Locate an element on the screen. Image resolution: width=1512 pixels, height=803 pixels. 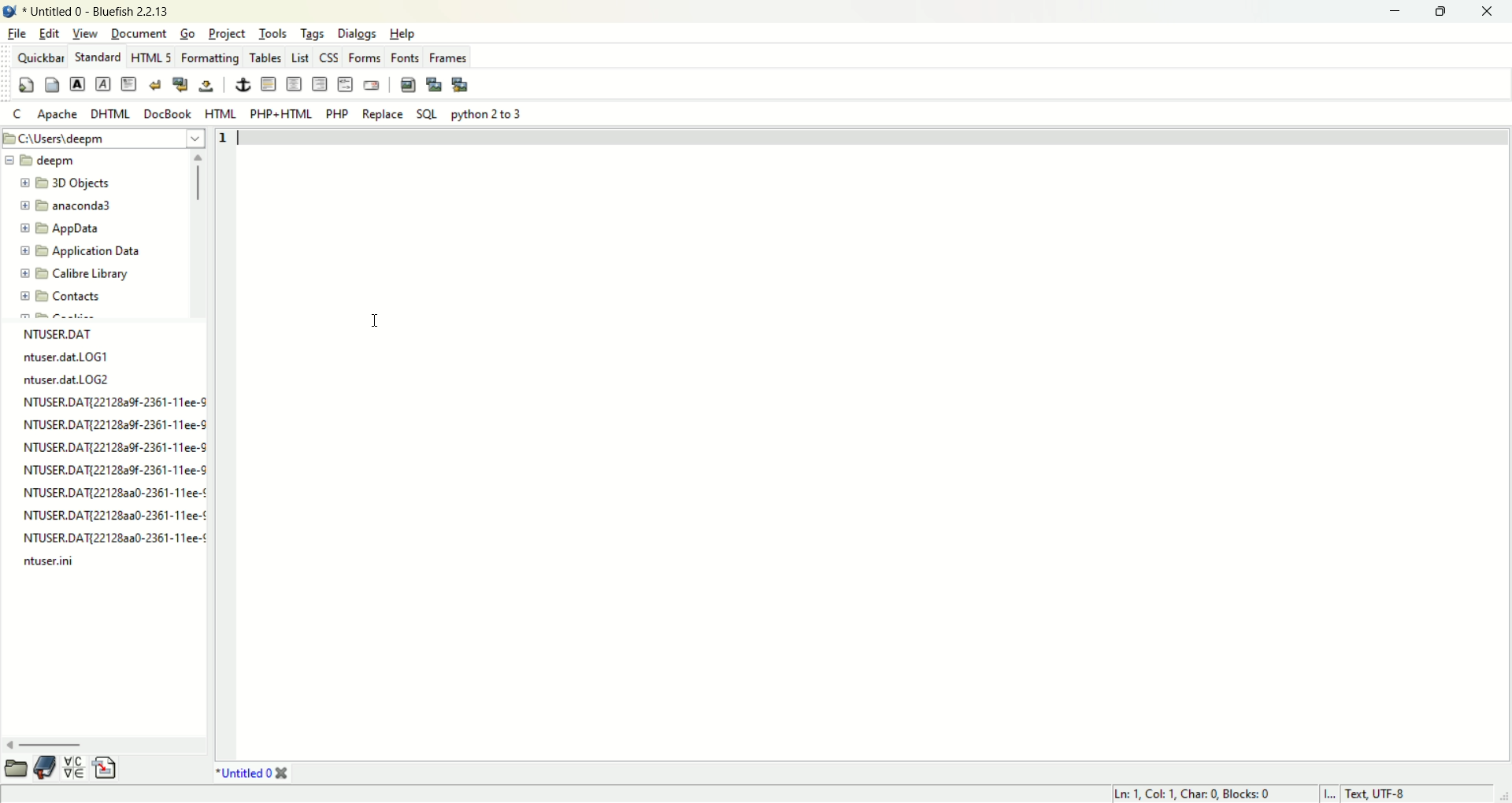
close is located at coordinates (1491, 12).